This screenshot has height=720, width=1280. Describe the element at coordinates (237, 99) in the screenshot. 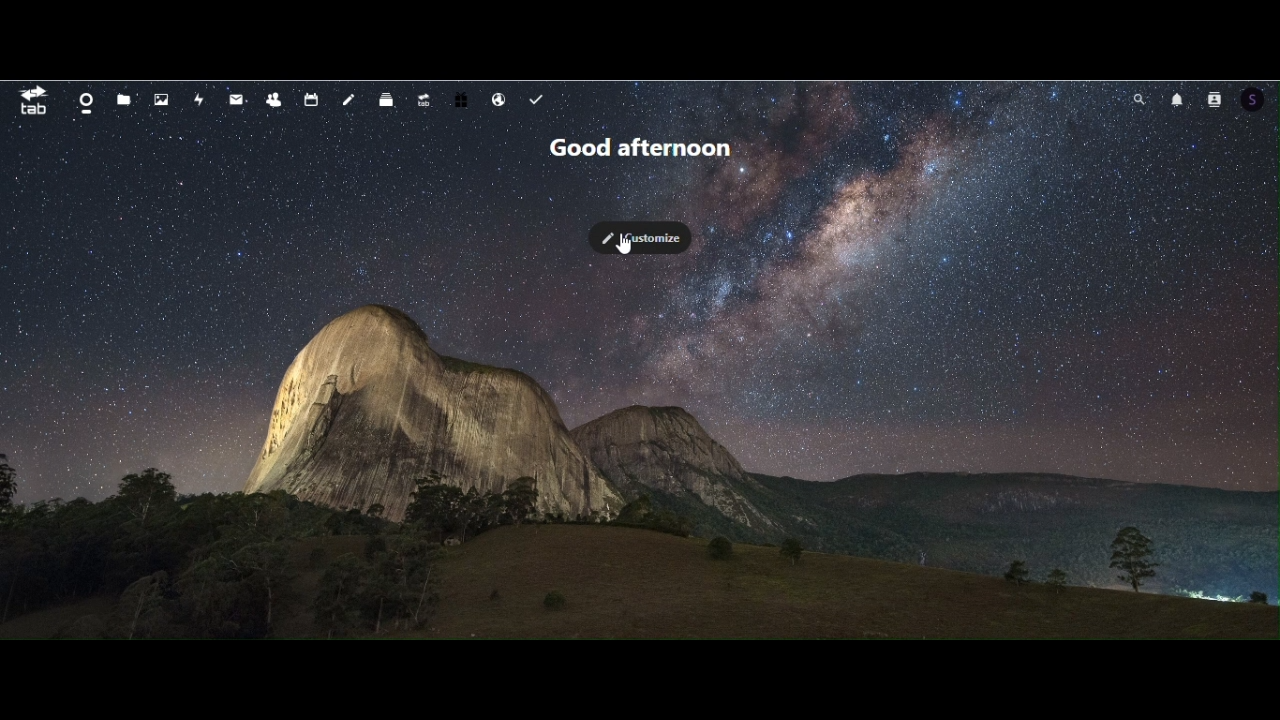

I see `mail` at that location.